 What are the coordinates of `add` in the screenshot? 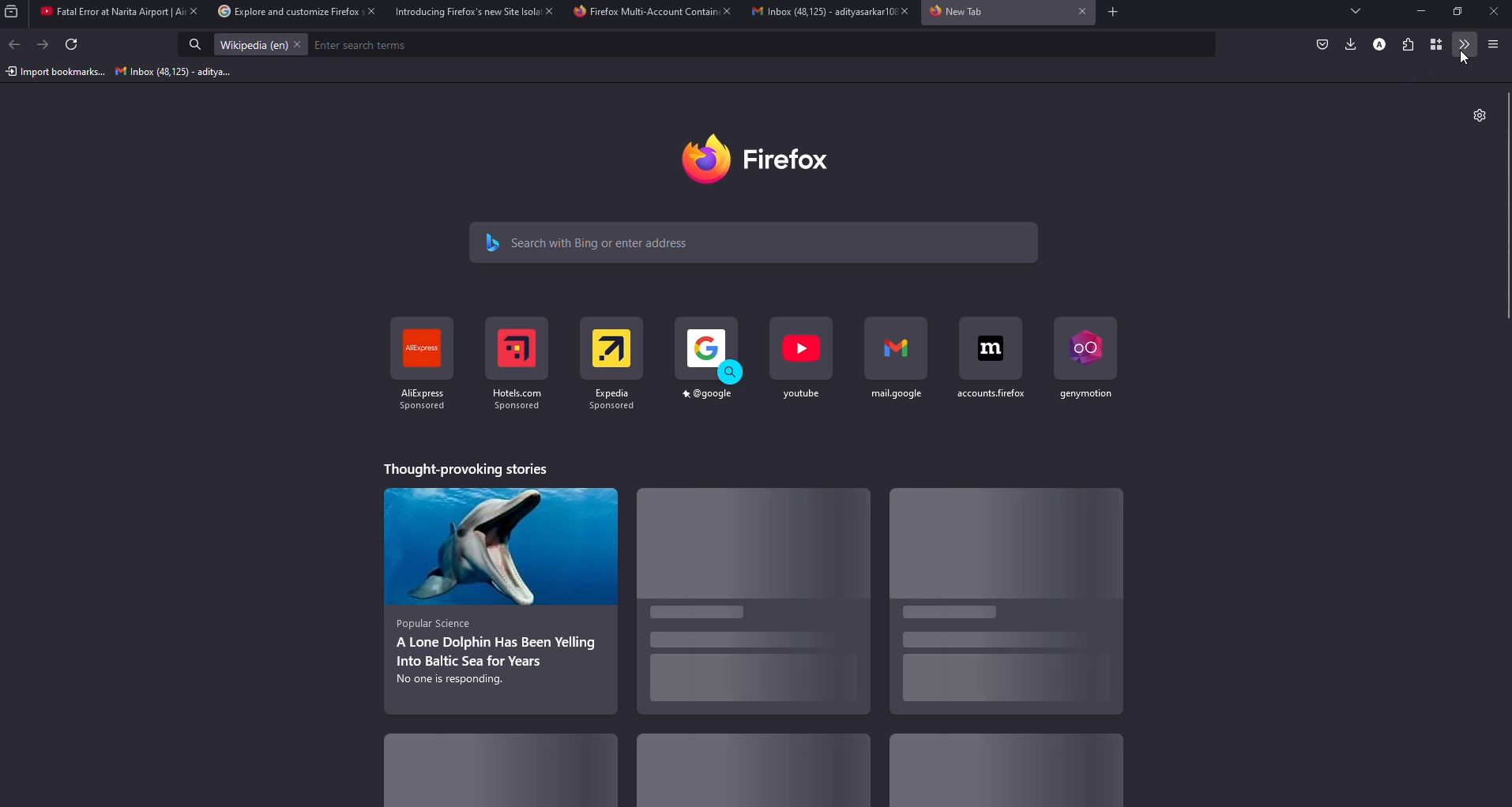 It's located at (1111, 13).